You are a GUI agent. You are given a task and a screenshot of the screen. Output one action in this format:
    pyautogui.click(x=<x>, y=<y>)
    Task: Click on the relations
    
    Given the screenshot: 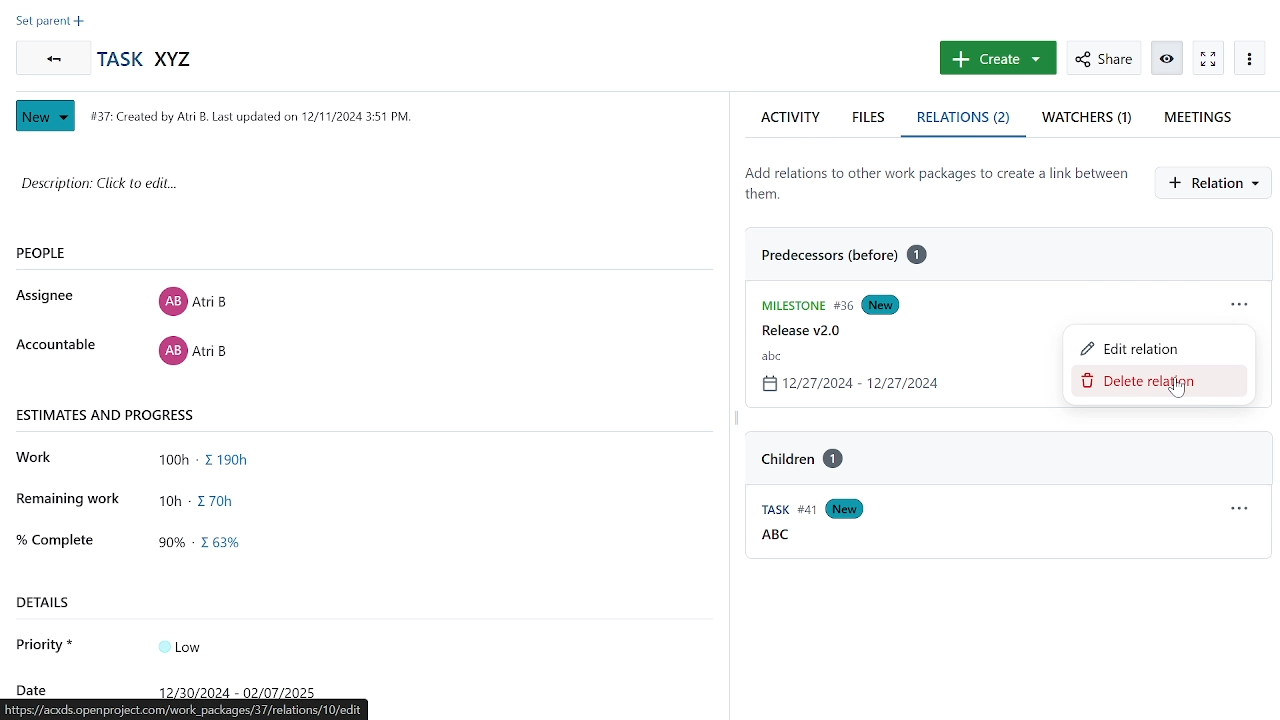 What is the action you would take?
    pyautogui.click(x=965, y=120)
    